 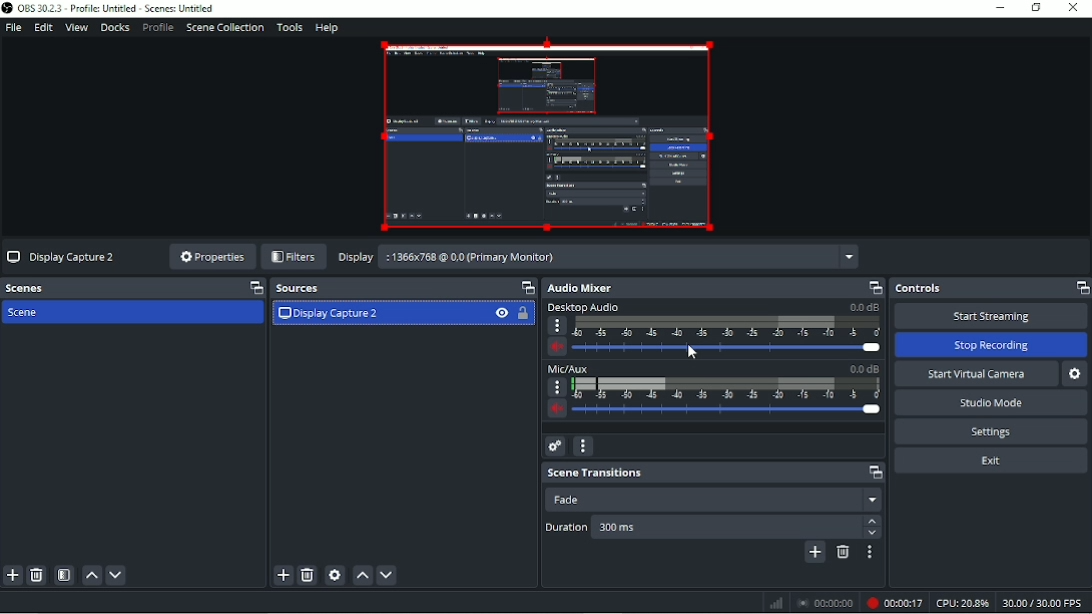 I want to click on Video Preview, so click(x=546, y=136).